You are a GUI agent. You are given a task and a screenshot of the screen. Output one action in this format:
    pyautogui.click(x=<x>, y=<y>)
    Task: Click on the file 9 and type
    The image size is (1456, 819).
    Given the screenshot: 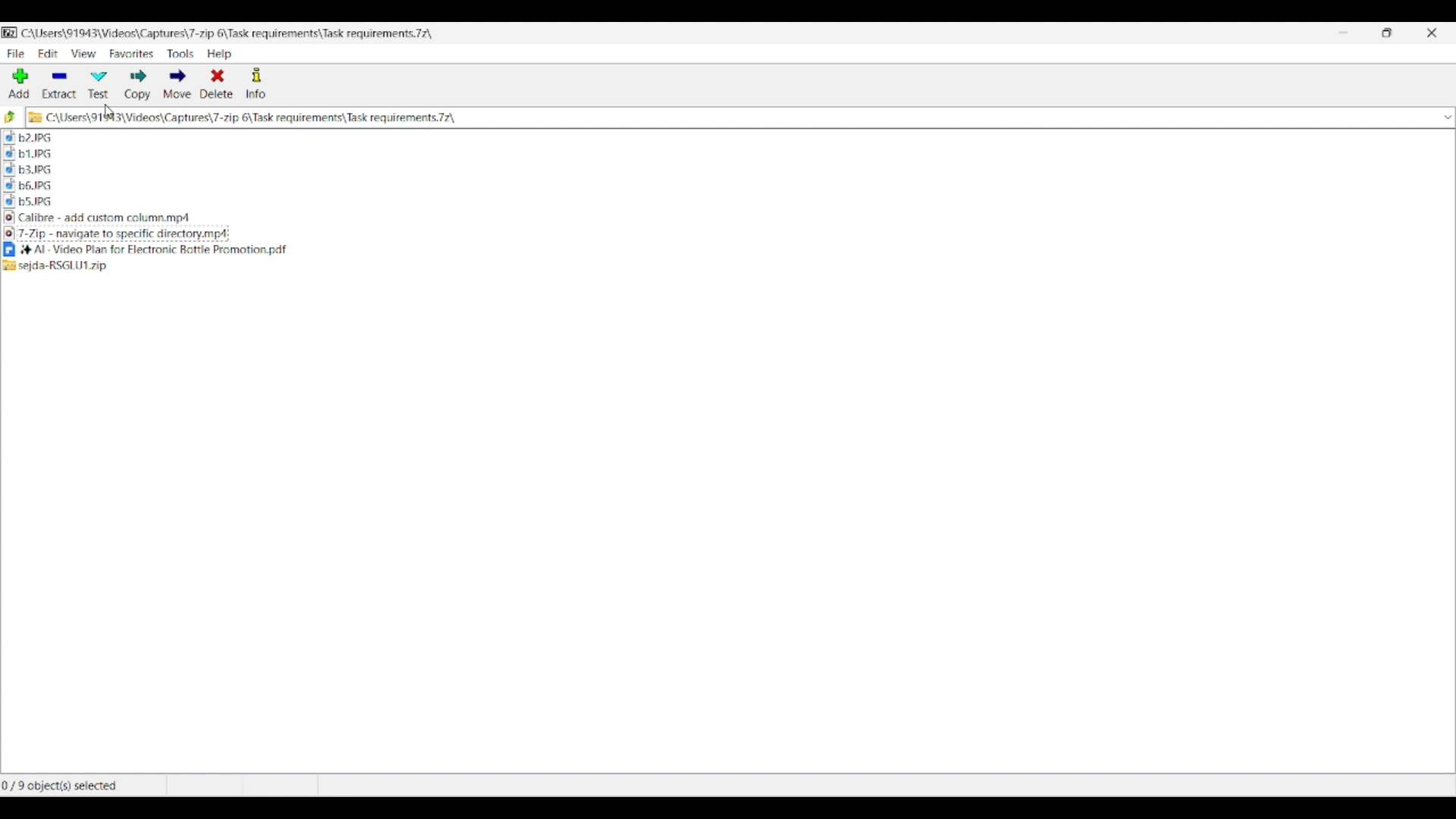 What is the action you would take?
    pyautogui.click(x=420, y=203)
    